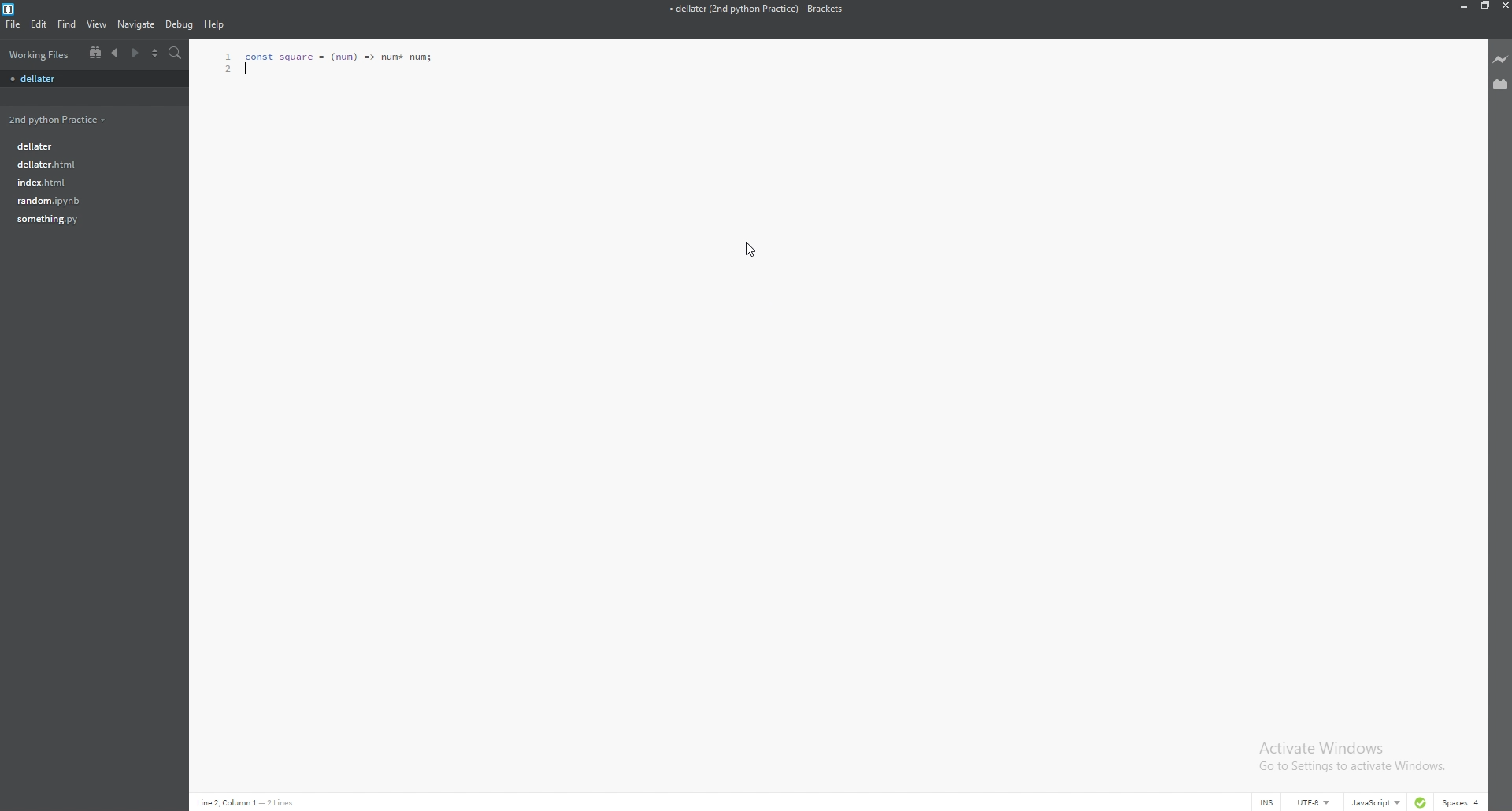 Image resolution: width=1512 pixels, height=811 pixels. I want to click on file, so click(87, 182).